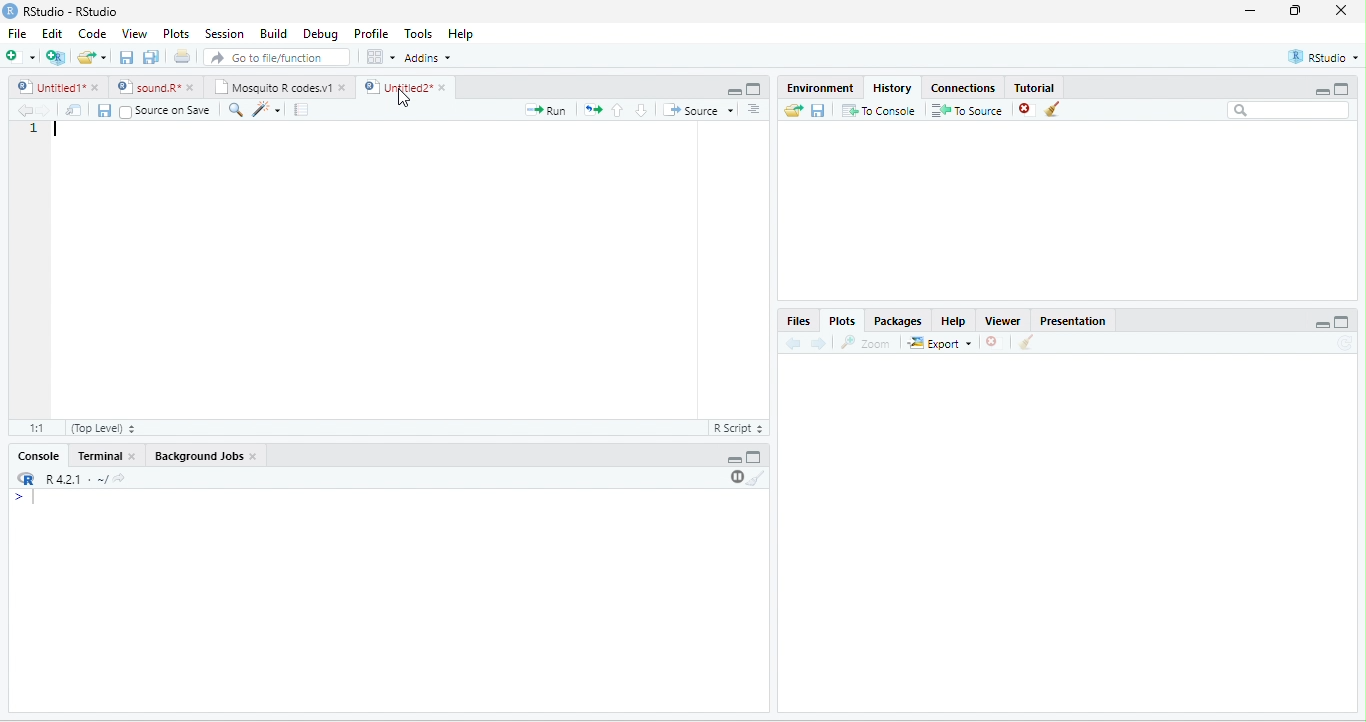  Describe the element at coordinates (445, 87) in the screenshot. I see `close` at that location.